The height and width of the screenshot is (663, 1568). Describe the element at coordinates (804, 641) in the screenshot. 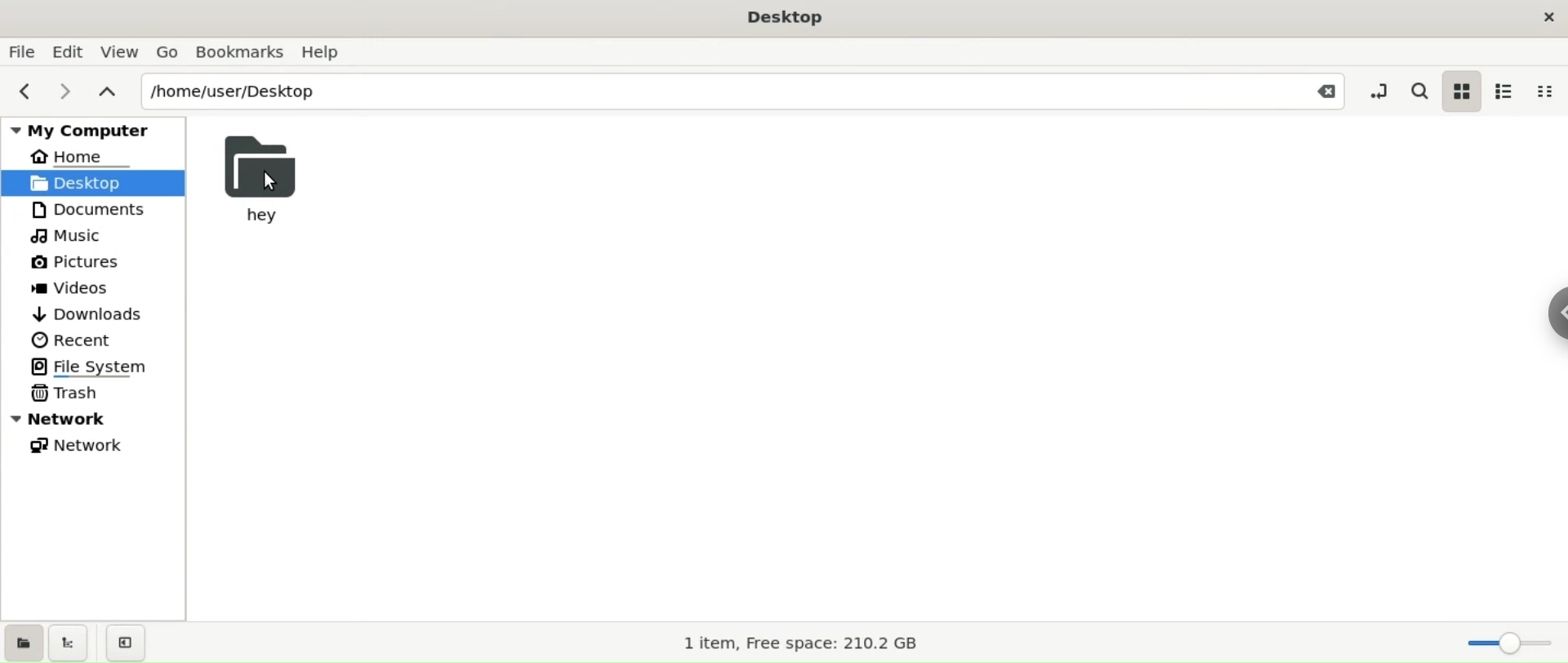

I see `1 Item, Free space: 210.2 GB` at that location.